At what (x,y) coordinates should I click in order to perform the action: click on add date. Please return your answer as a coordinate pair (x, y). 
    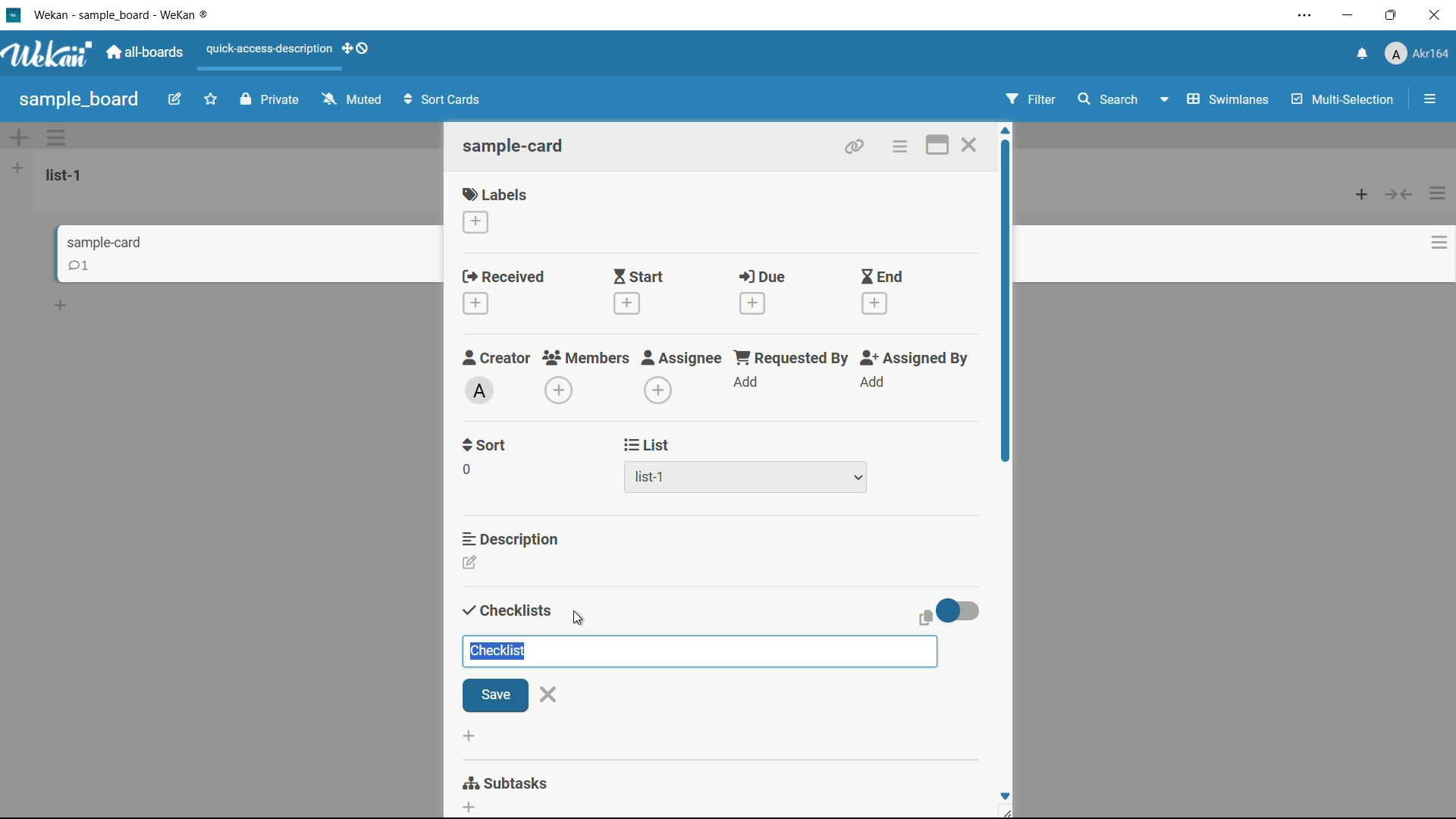
    Looking at the image, I should click on (874, 303).